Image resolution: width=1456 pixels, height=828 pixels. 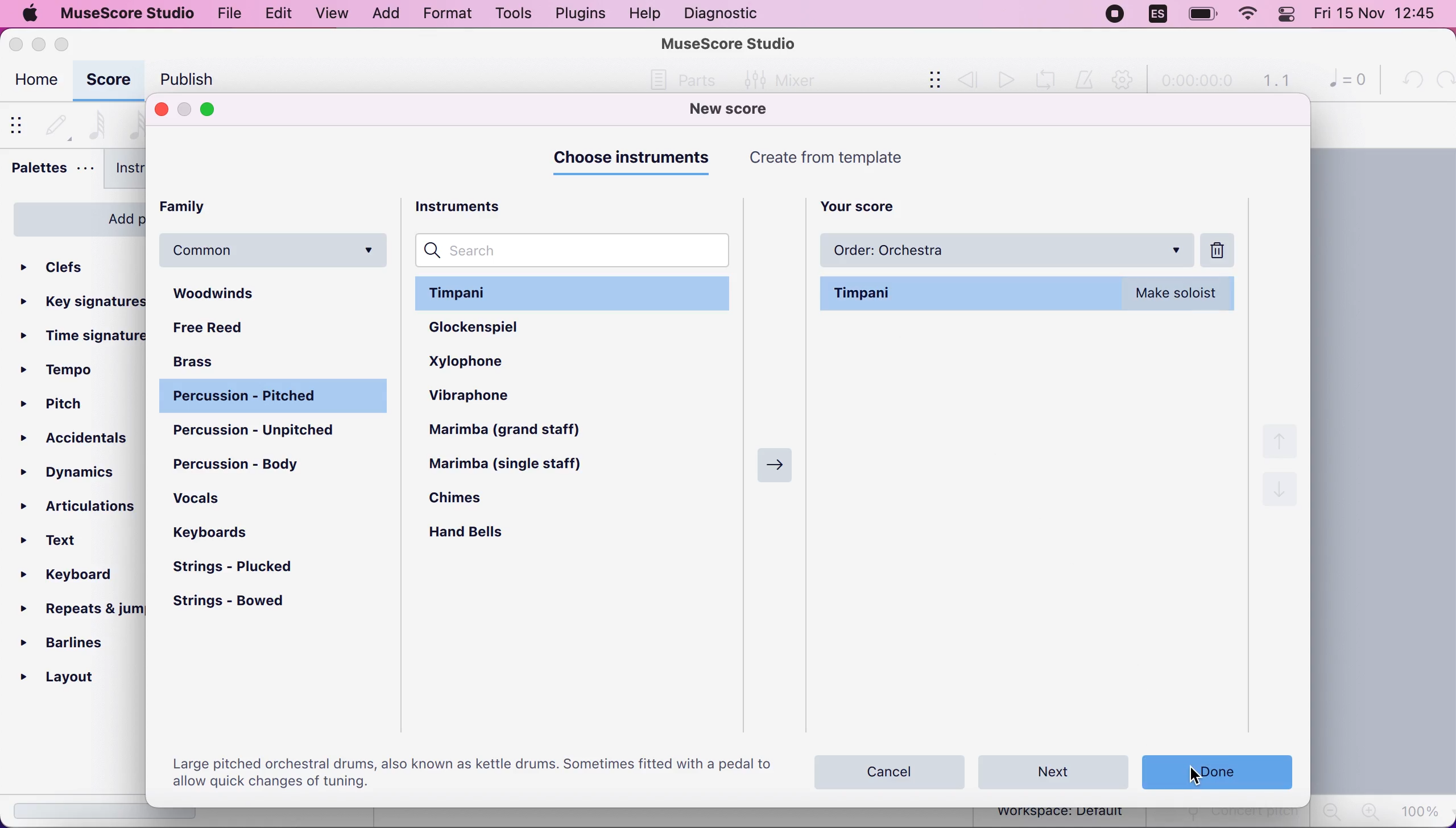 What do you see at coordinates (210, 360) in the screenshot?
I see `brass` at bounding box center [210, 360].